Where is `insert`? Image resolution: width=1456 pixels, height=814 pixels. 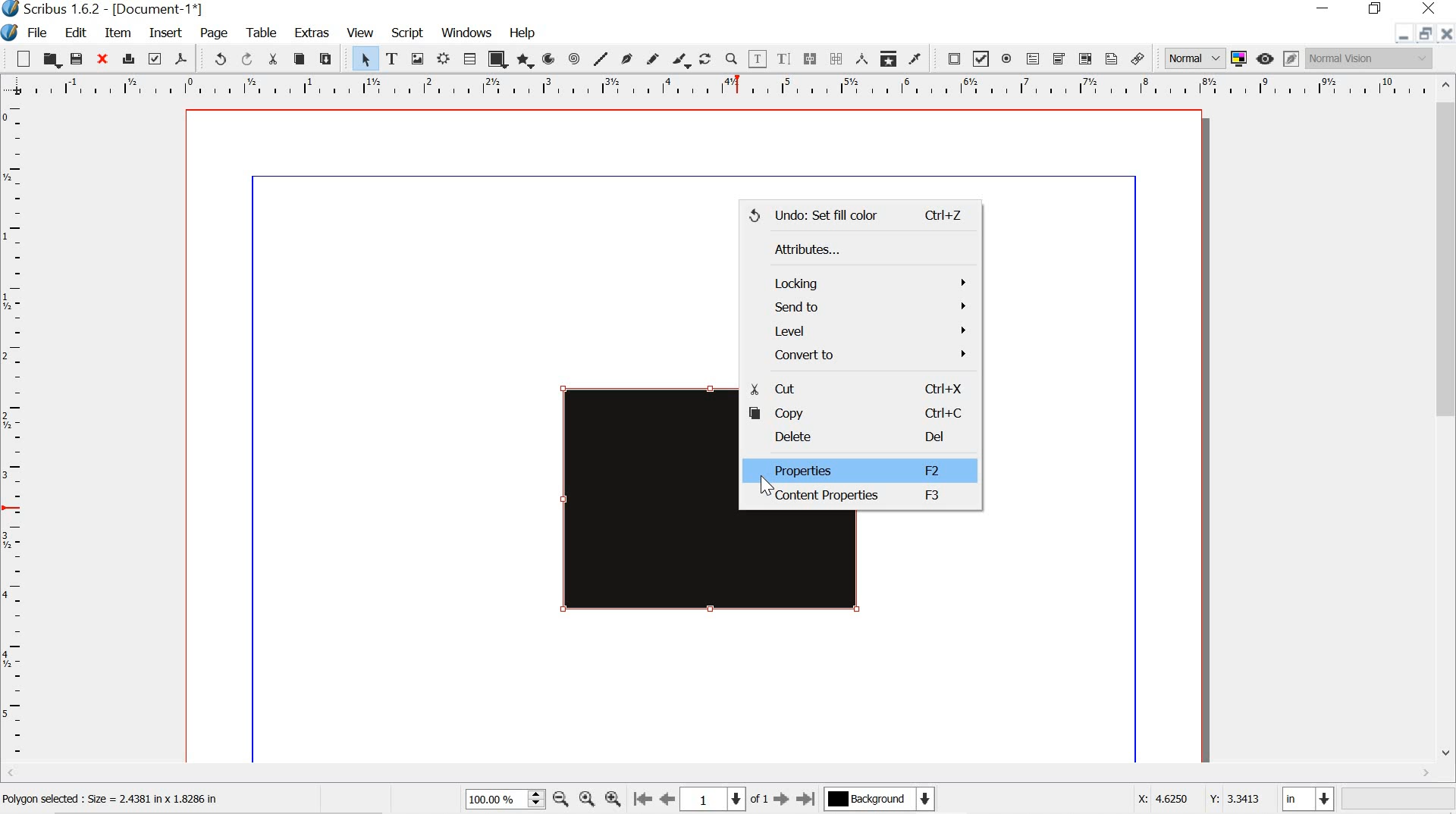 insert is located at coordinates (165, 33).